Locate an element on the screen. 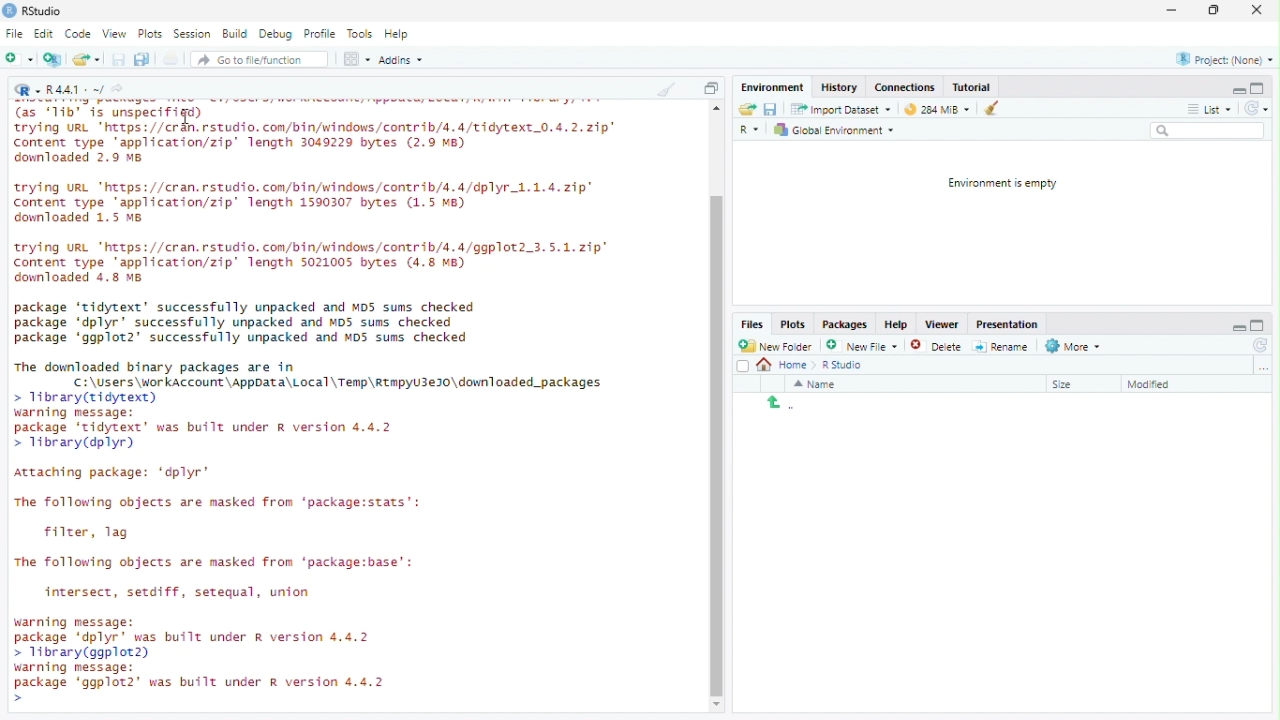  trying URL -hetpess/crina

trying URL "https: //cran.rstudio. con/bin/windows/contrib/4.4/tidytext_0.4.2.2ip"
content type "application/zip’ length 3049229 bytes (2.9 8)

downloaded 2.9 MB is located at coordinates (323, 138).